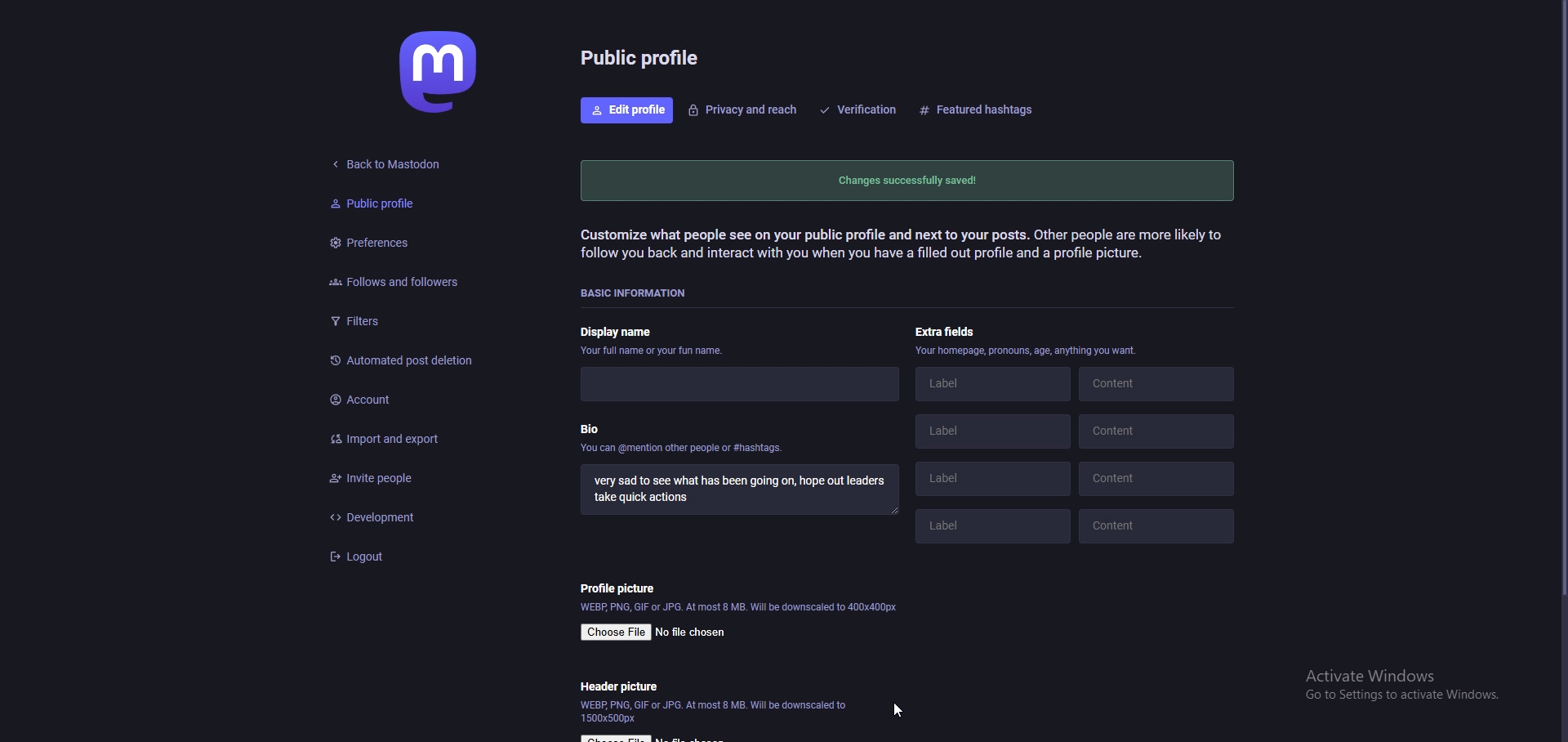 Image resolution: width=1568 pixels, height=742 pixels. What do you see at coordinates (982, 110) in the screenshot?
I see `featurd hashtags` at bounding box center [982, 110].